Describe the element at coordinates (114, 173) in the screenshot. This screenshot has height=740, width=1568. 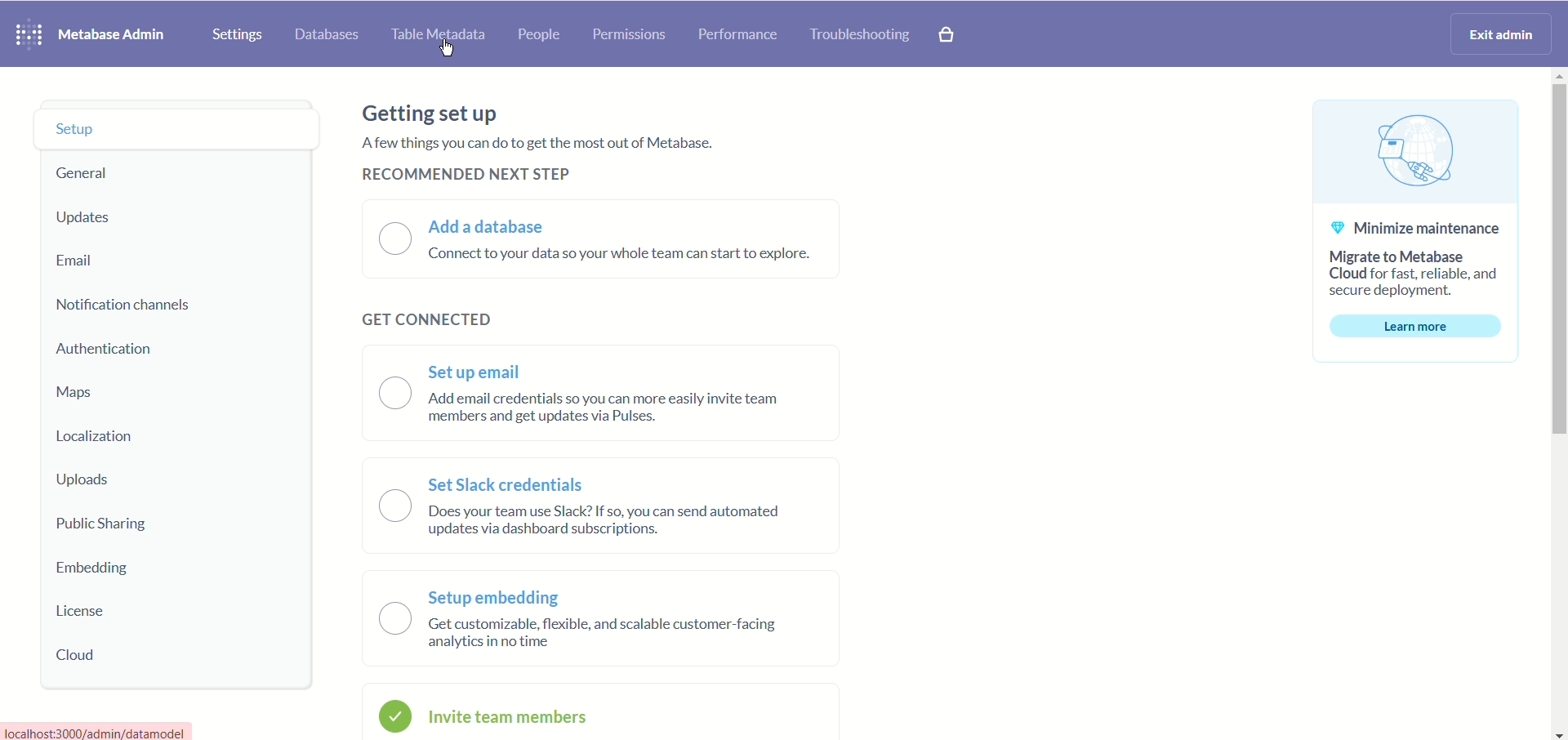
I see `General` at that location.